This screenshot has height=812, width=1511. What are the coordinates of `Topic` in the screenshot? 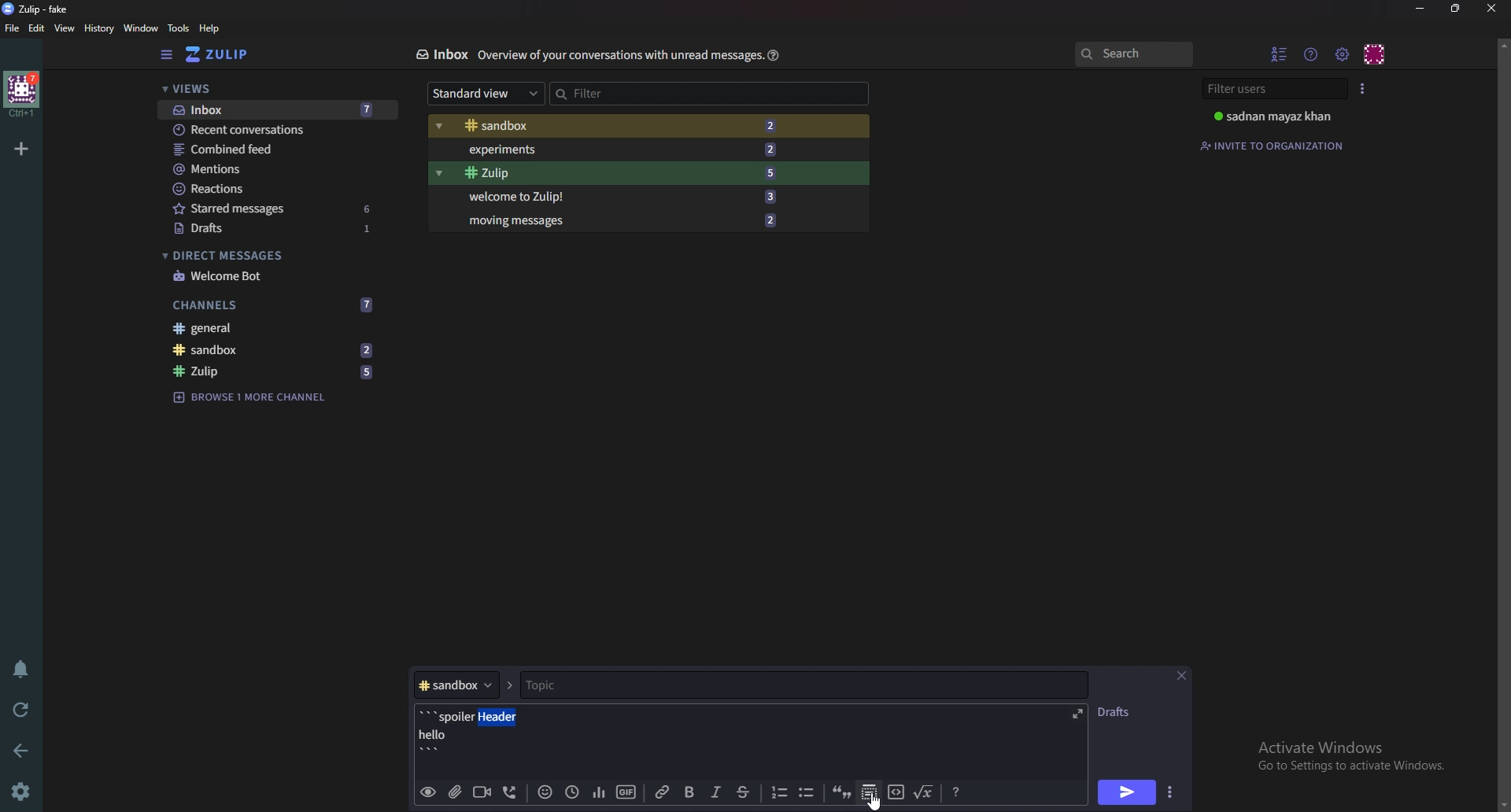 It's located at (801, 683).